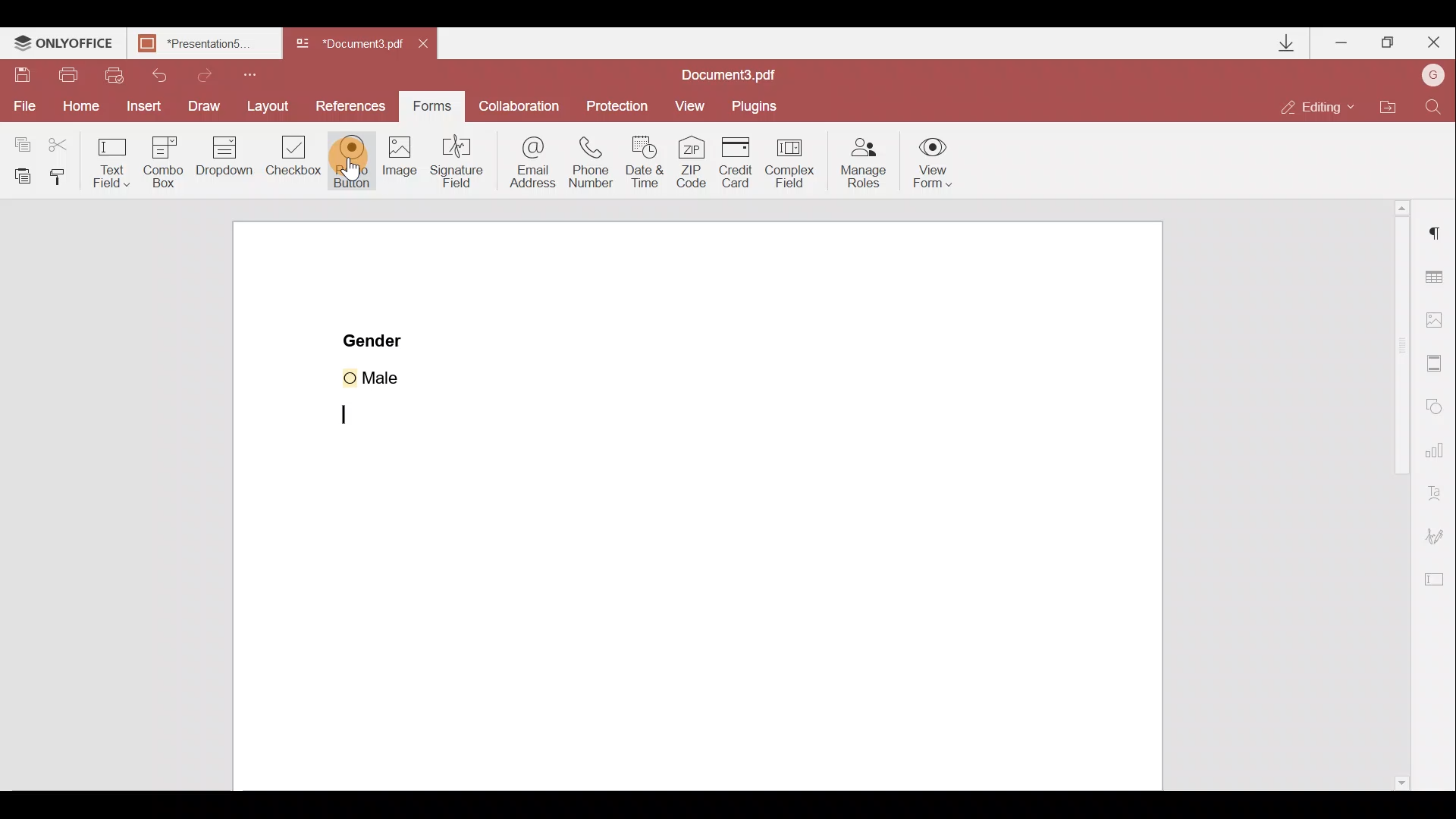  What do you see at coordinates (461, 168) in the screenshot?
I see `Signature field` at bounding box center [461, 168].